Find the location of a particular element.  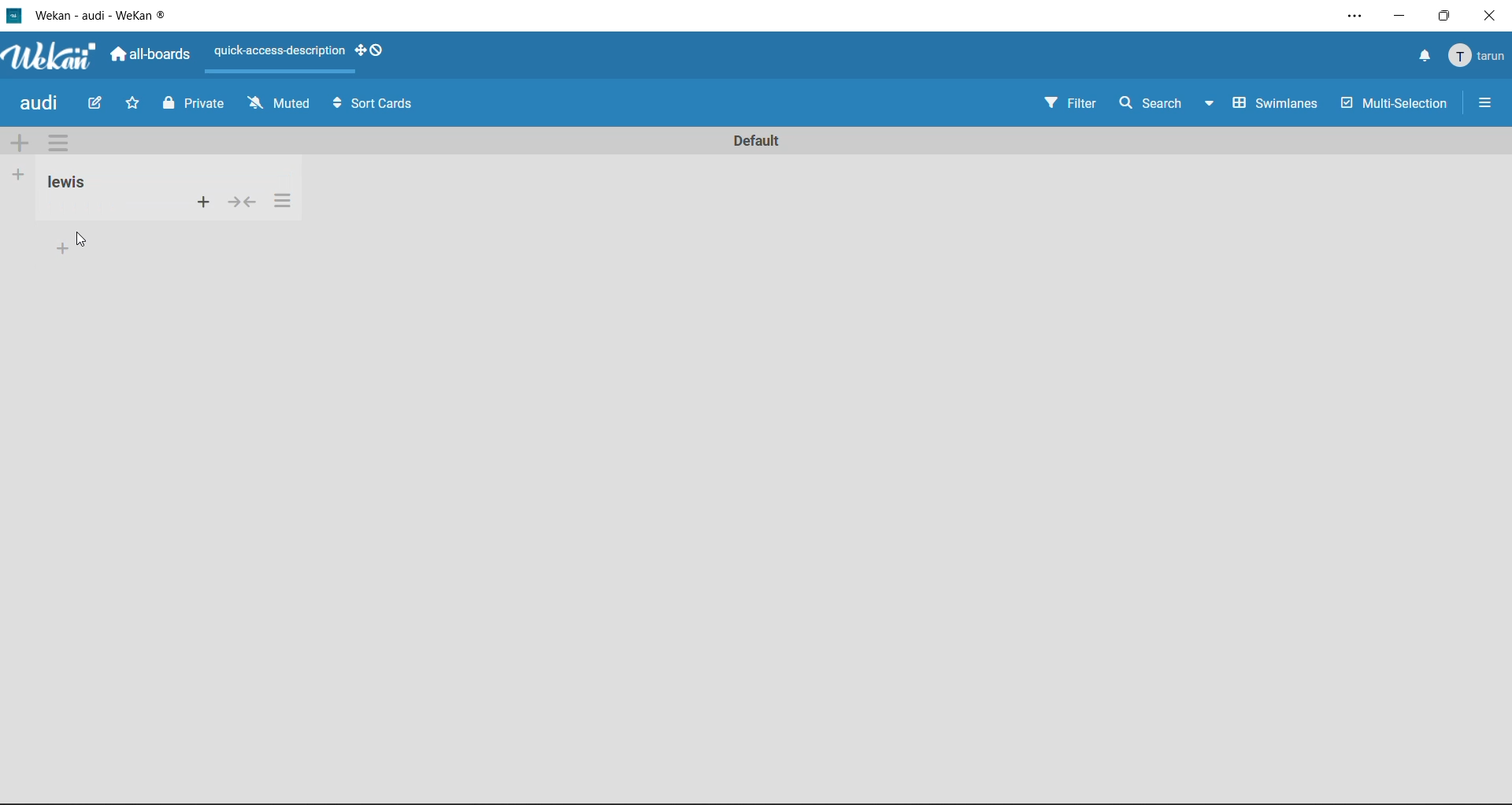

 is located at coordinates (61, 248).